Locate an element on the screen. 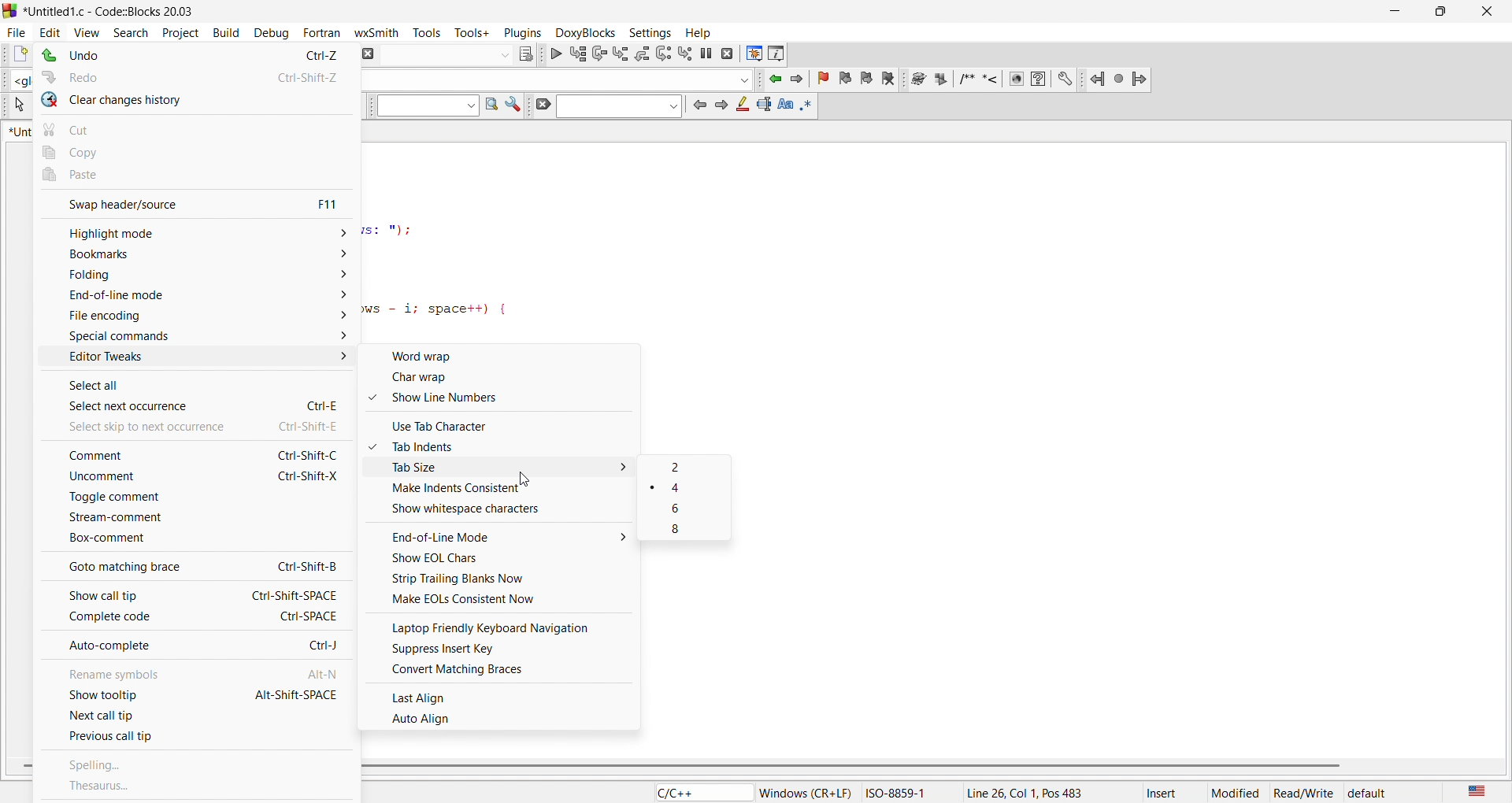  Ctrl-SPACE is located at coordinates (313, 616).